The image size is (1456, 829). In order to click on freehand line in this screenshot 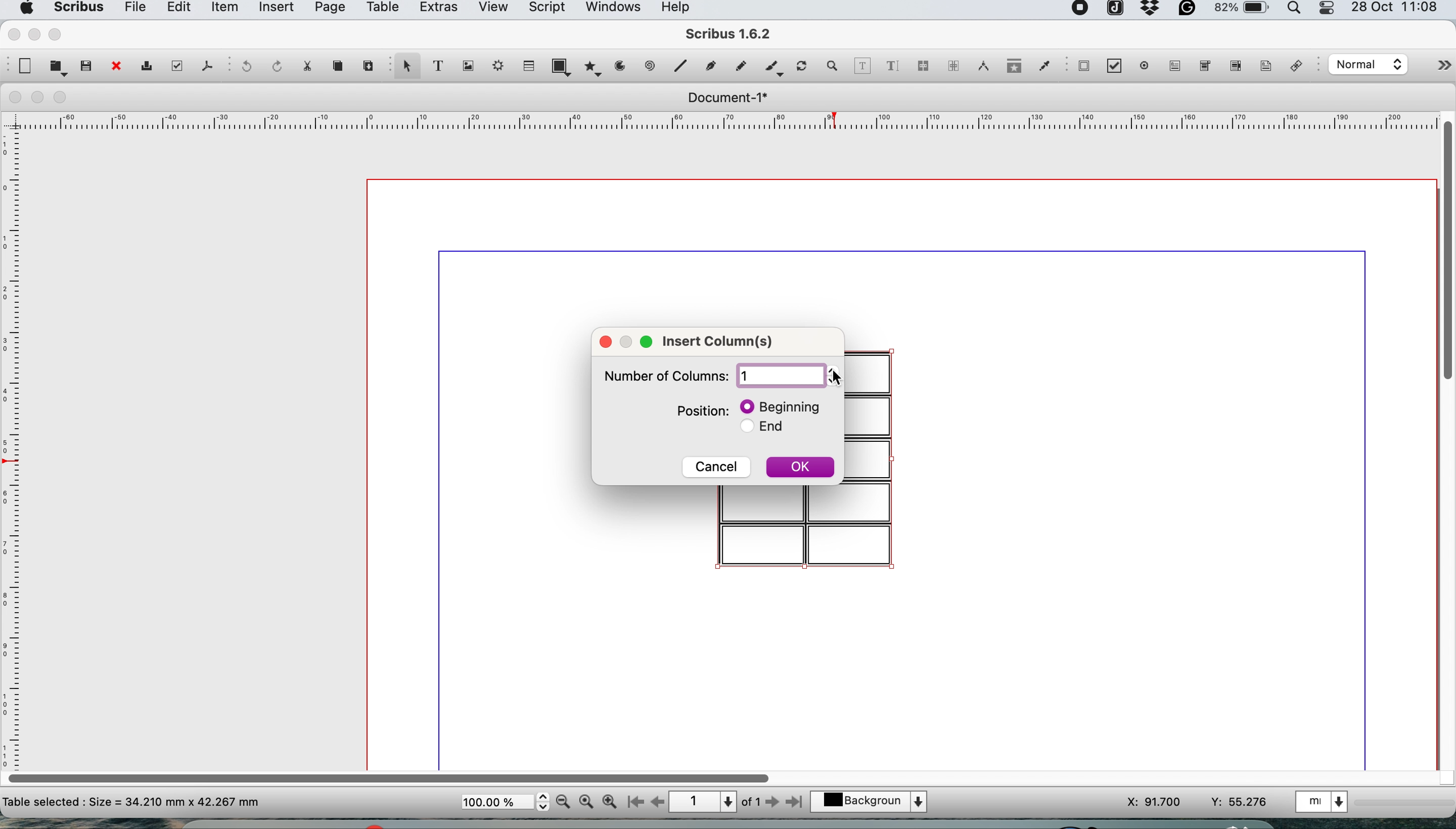, I will do `click(738, 66)`.